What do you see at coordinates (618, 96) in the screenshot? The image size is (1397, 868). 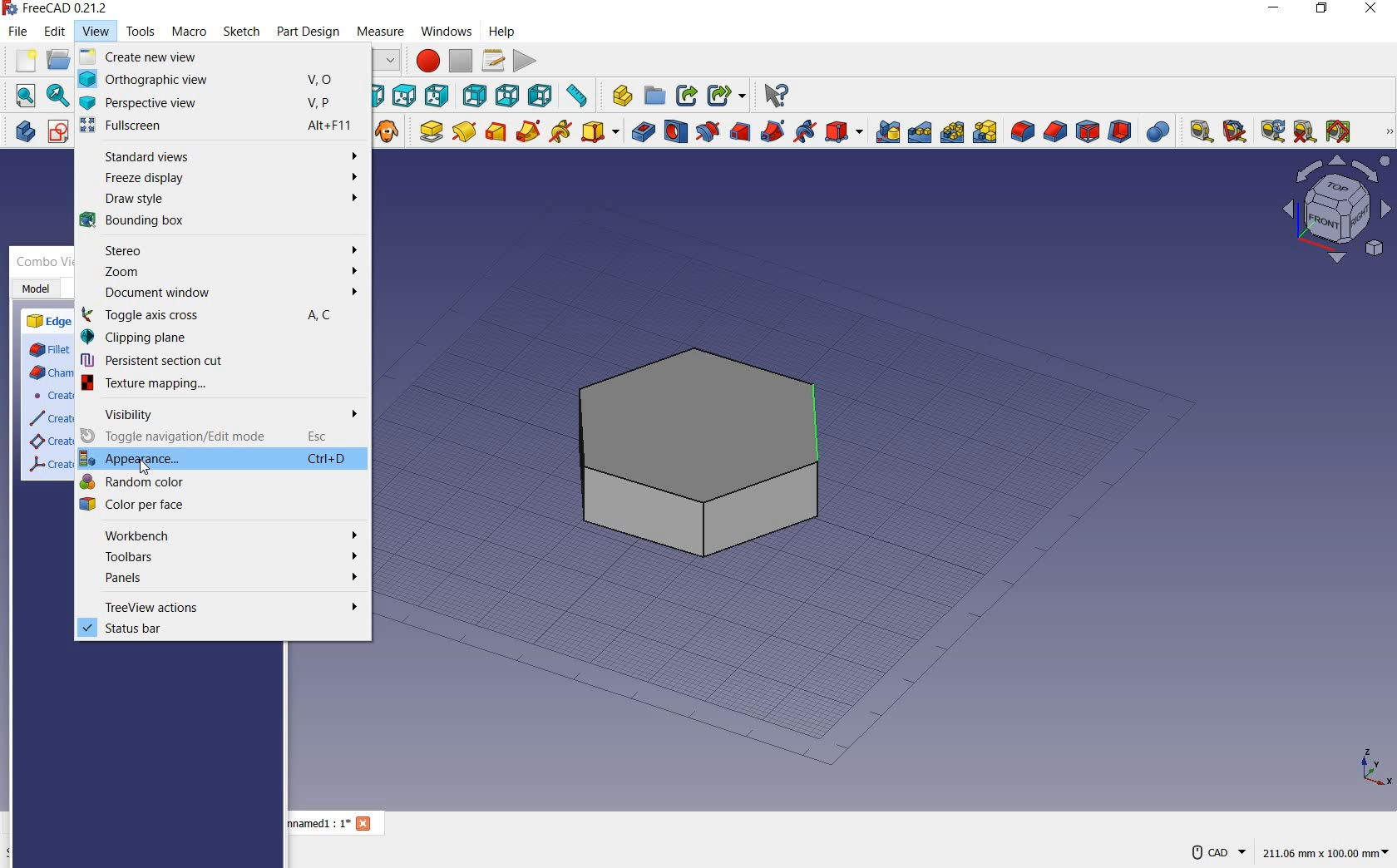 I see `create part` at bounding box center [618, 96].